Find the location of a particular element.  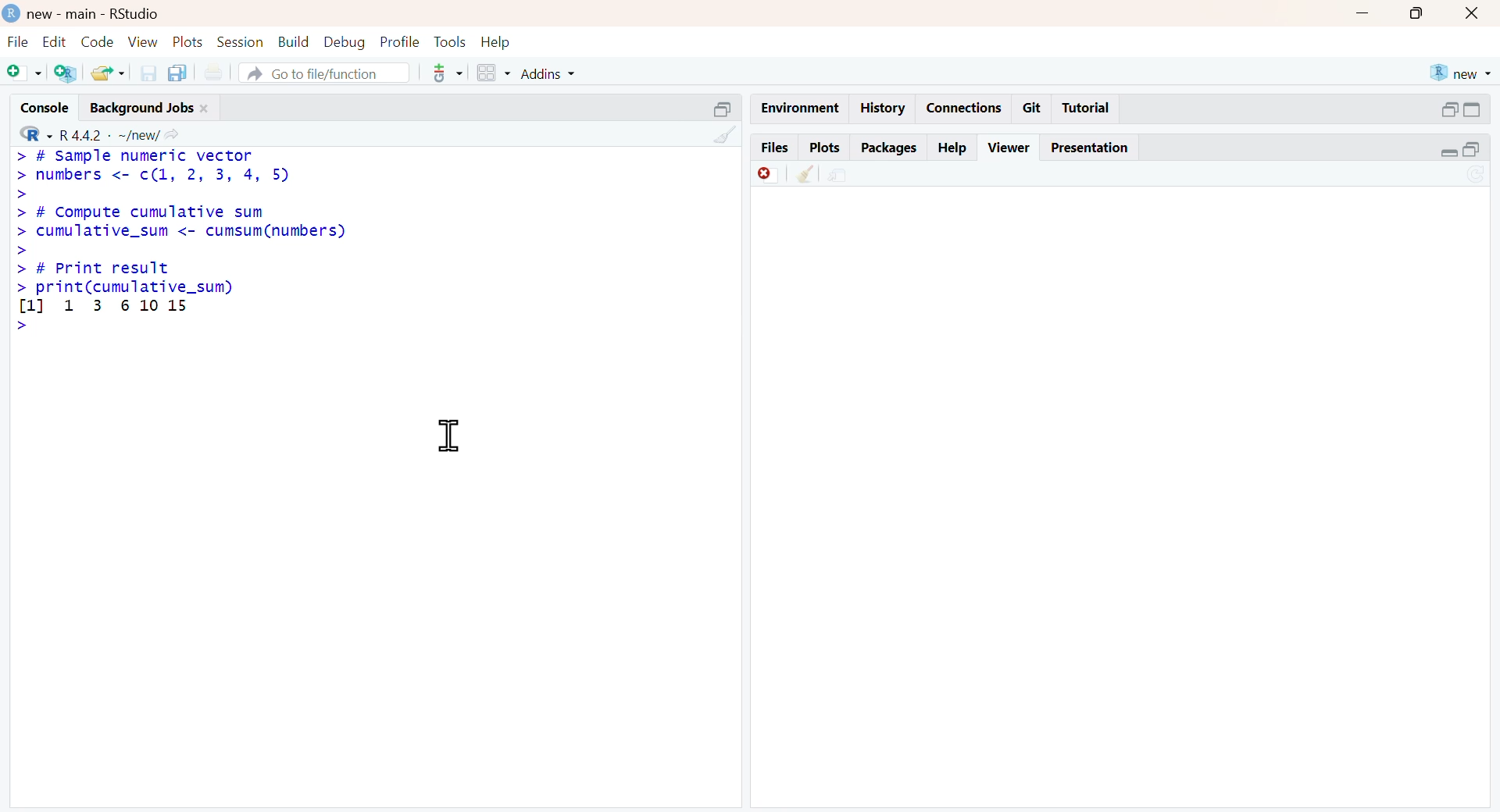

expand/collapse is located at coordinates (1448, 152).